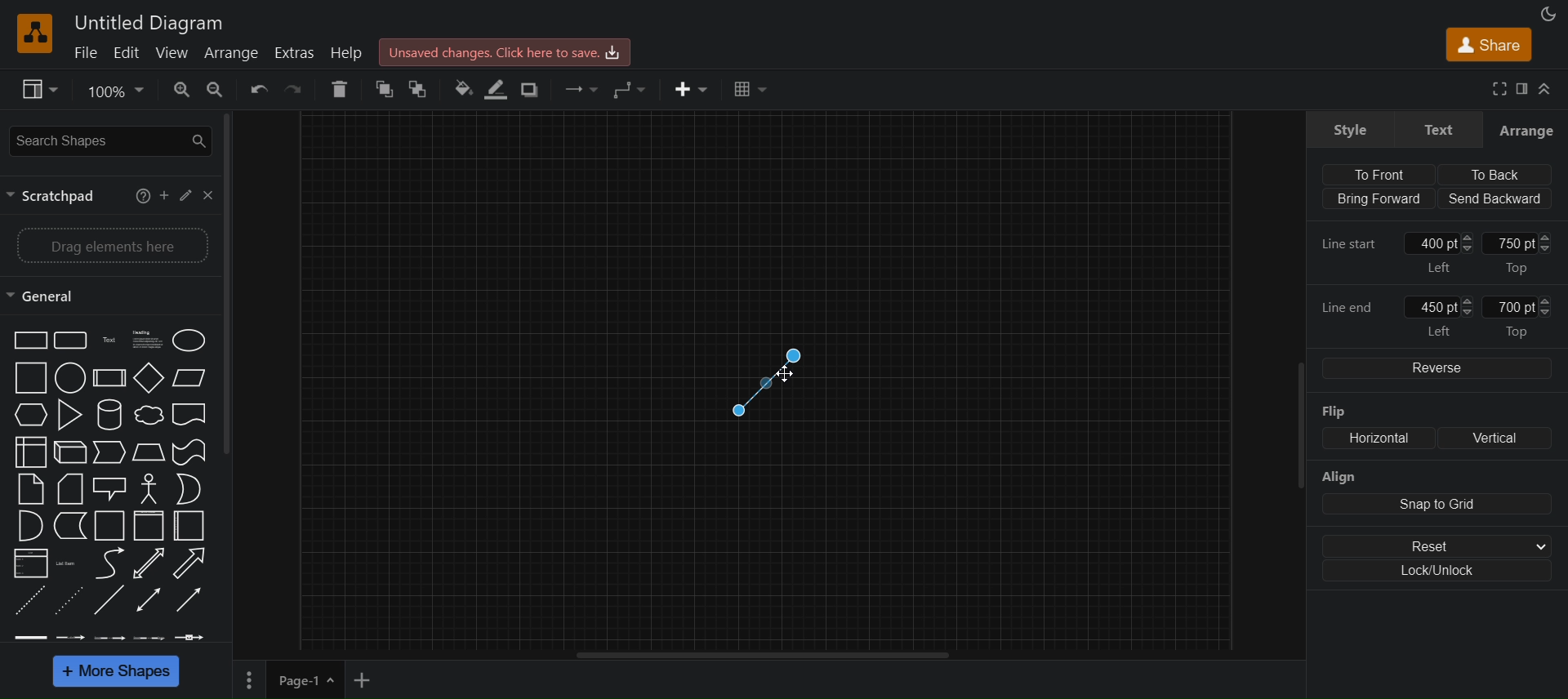  Describe the element at coordinates (1547, 15) in the screenshot. I see `appearance` at that location.